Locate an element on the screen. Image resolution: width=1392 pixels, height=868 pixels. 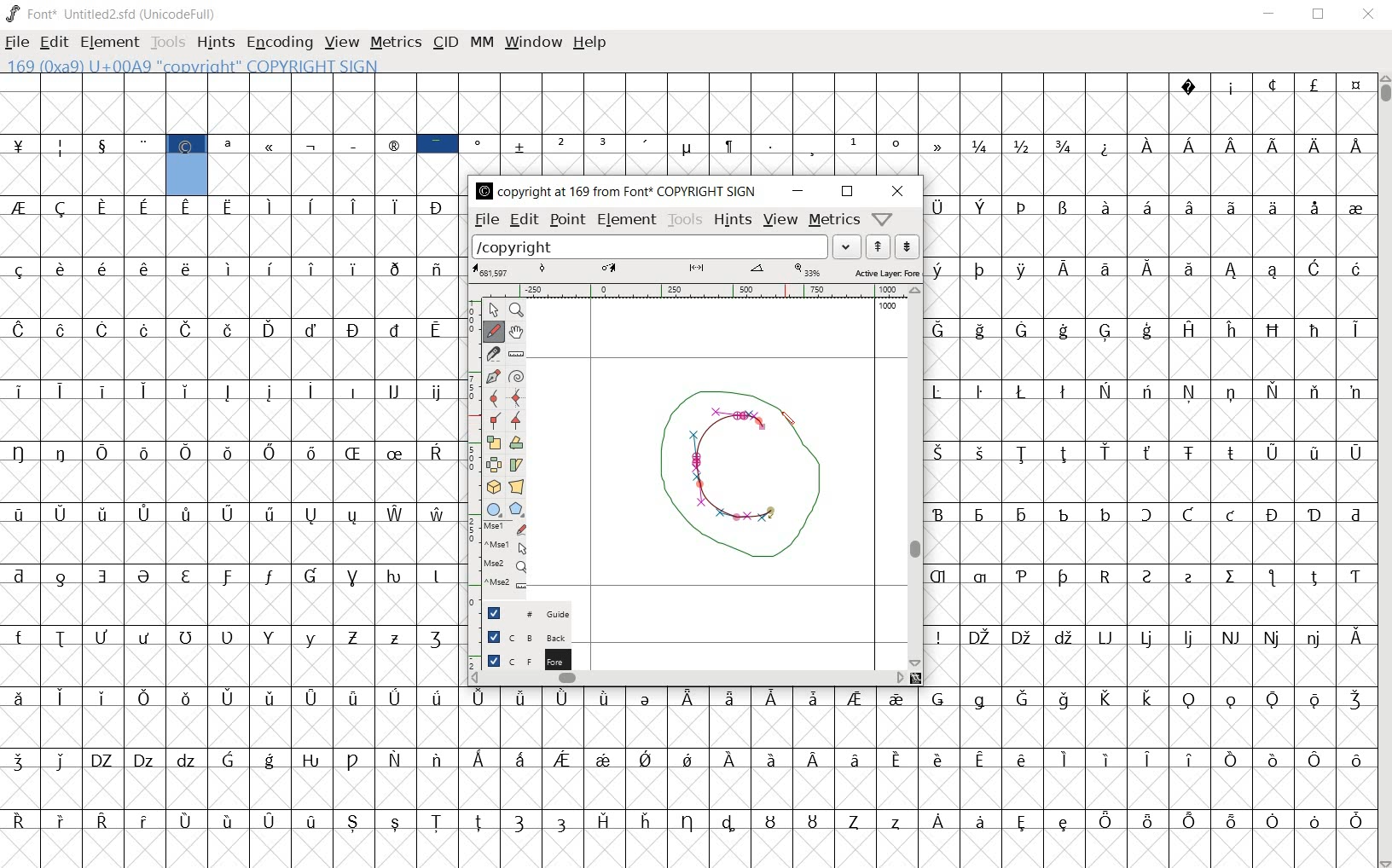
cut splines in two is located at coordinates (492, 353).